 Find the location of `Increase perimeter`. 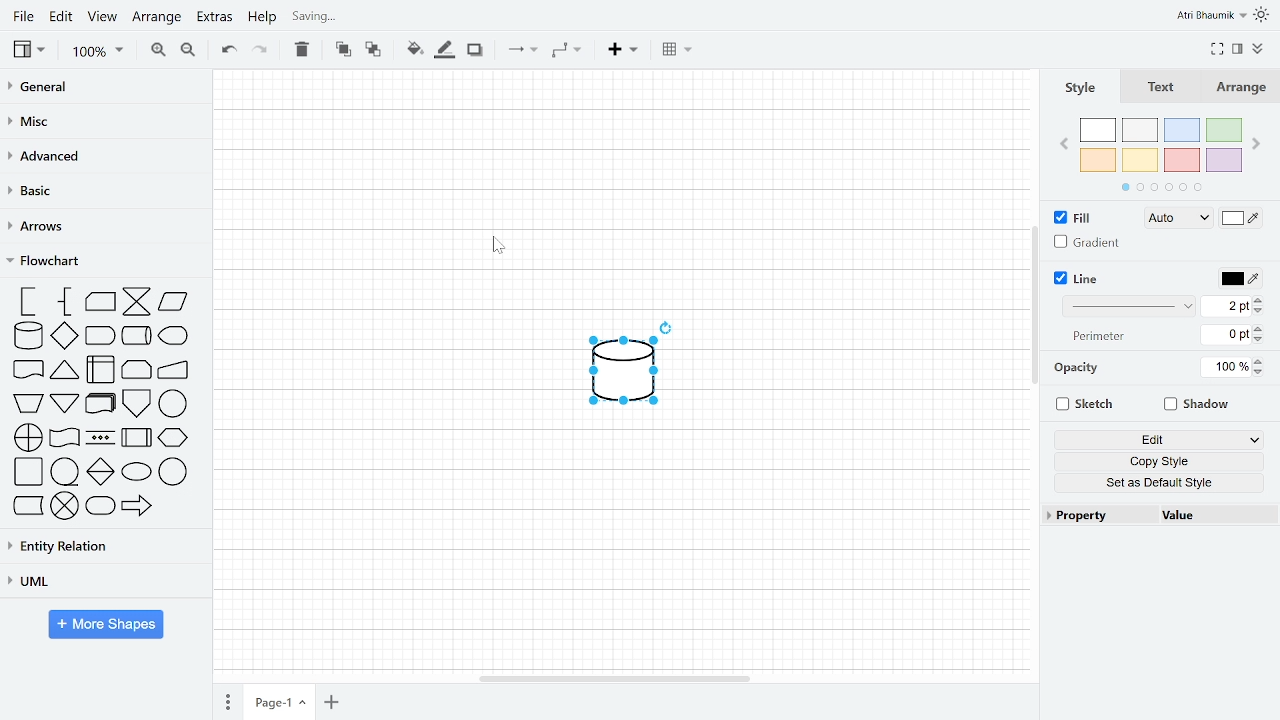

Increase perimeter is located at coordinates (1261, 329).